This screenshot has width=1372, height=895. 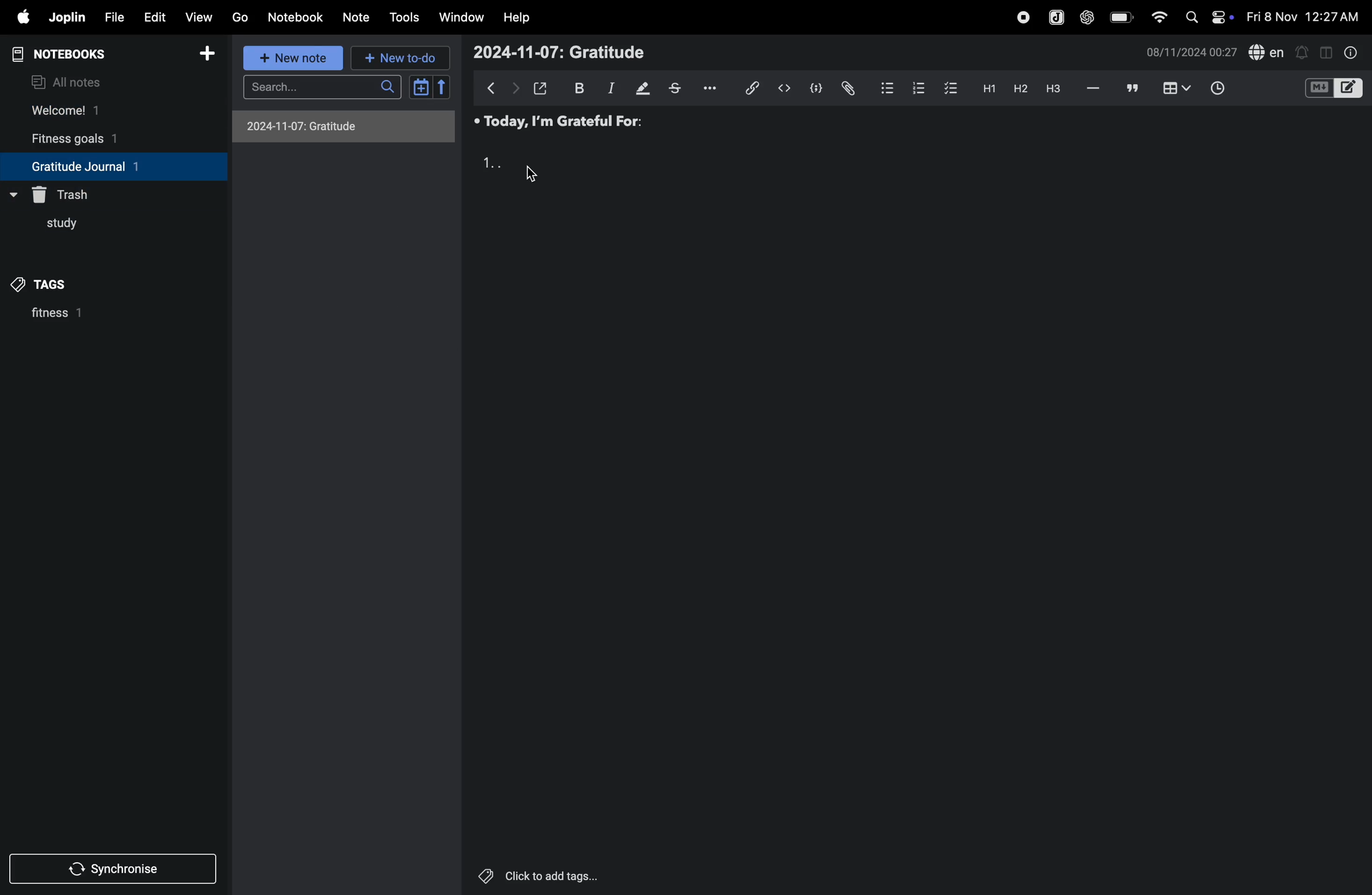 What do you see at coordinates (1303, 54) in the screenshot?
I see `create alert` at bounding box center [1303, 54].